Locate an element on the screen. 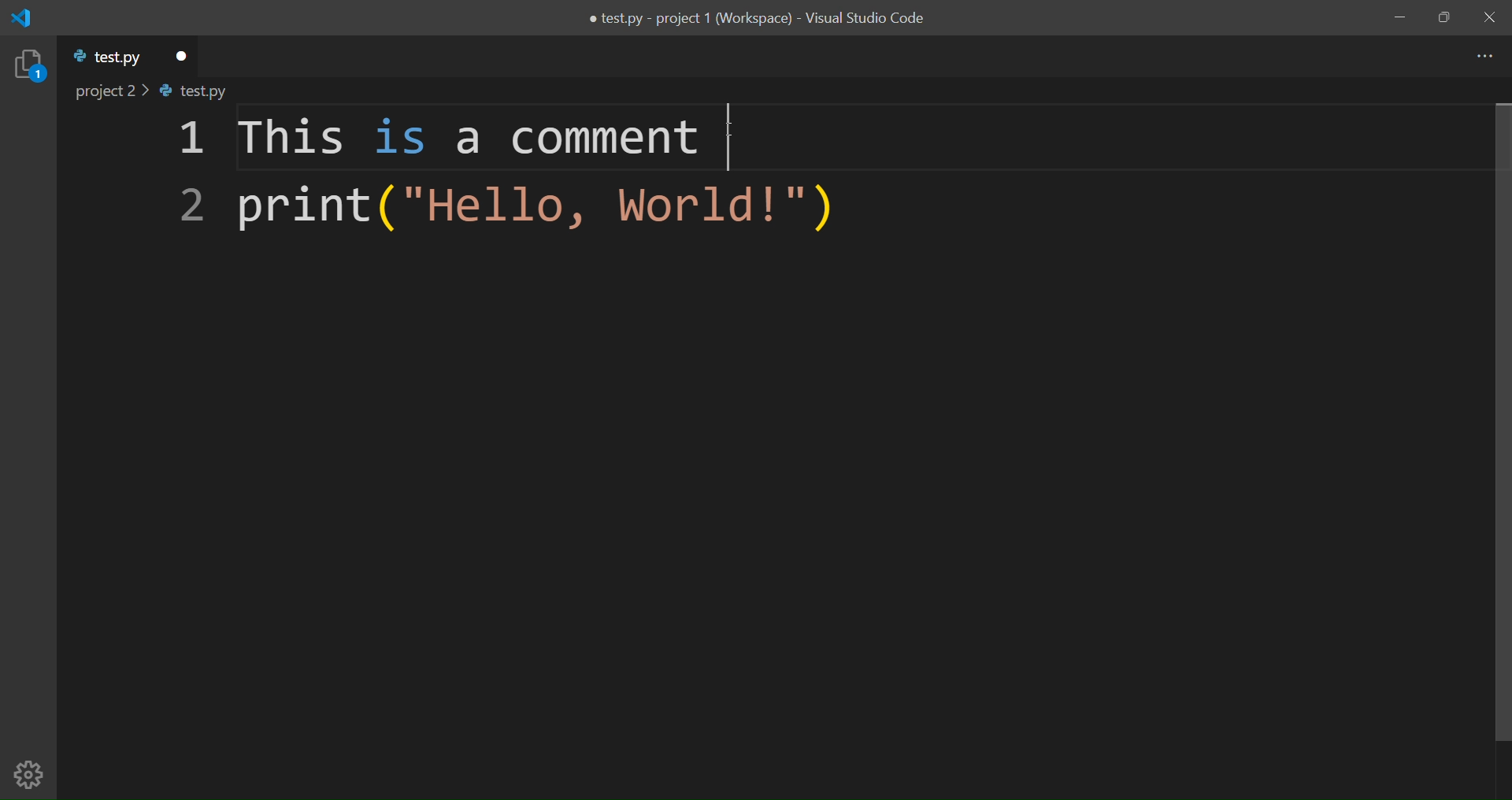  logo is located at coordinates (28, 18).